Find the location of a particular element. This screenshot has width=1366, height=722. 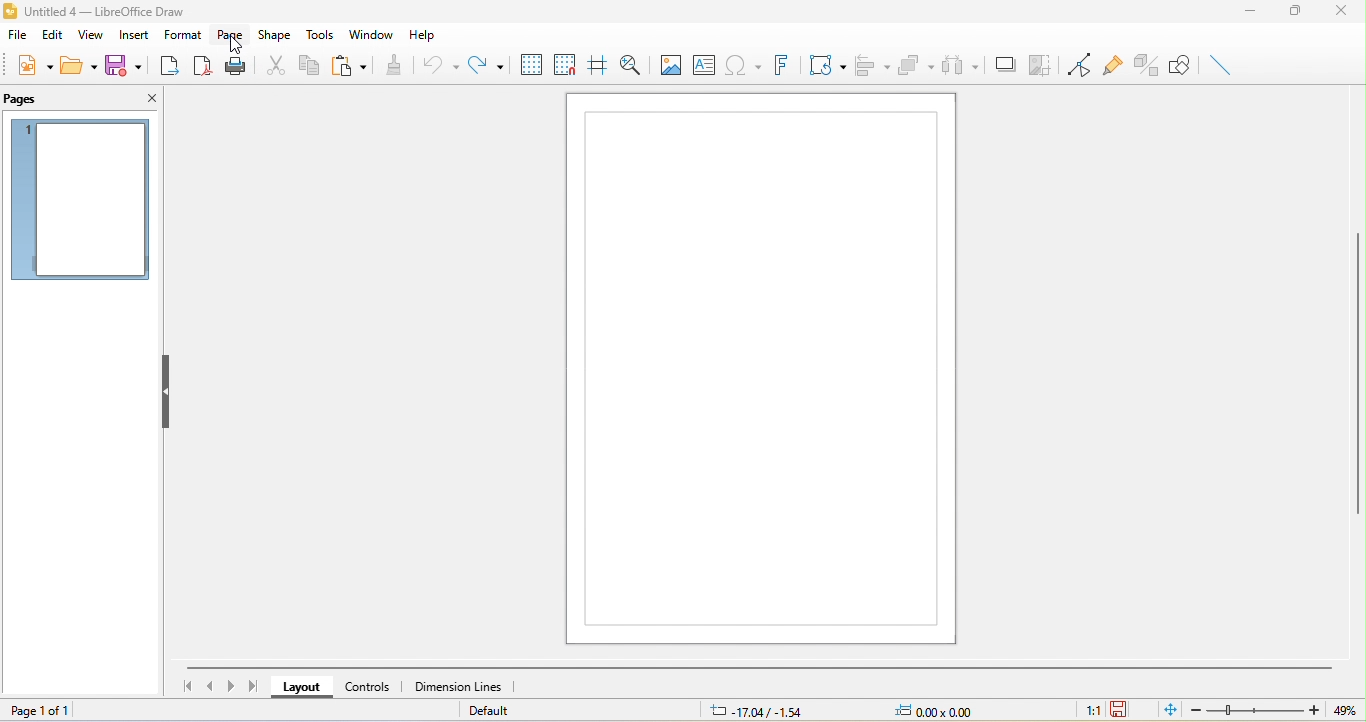

helpline while moving is located at coordinates (599, 64).